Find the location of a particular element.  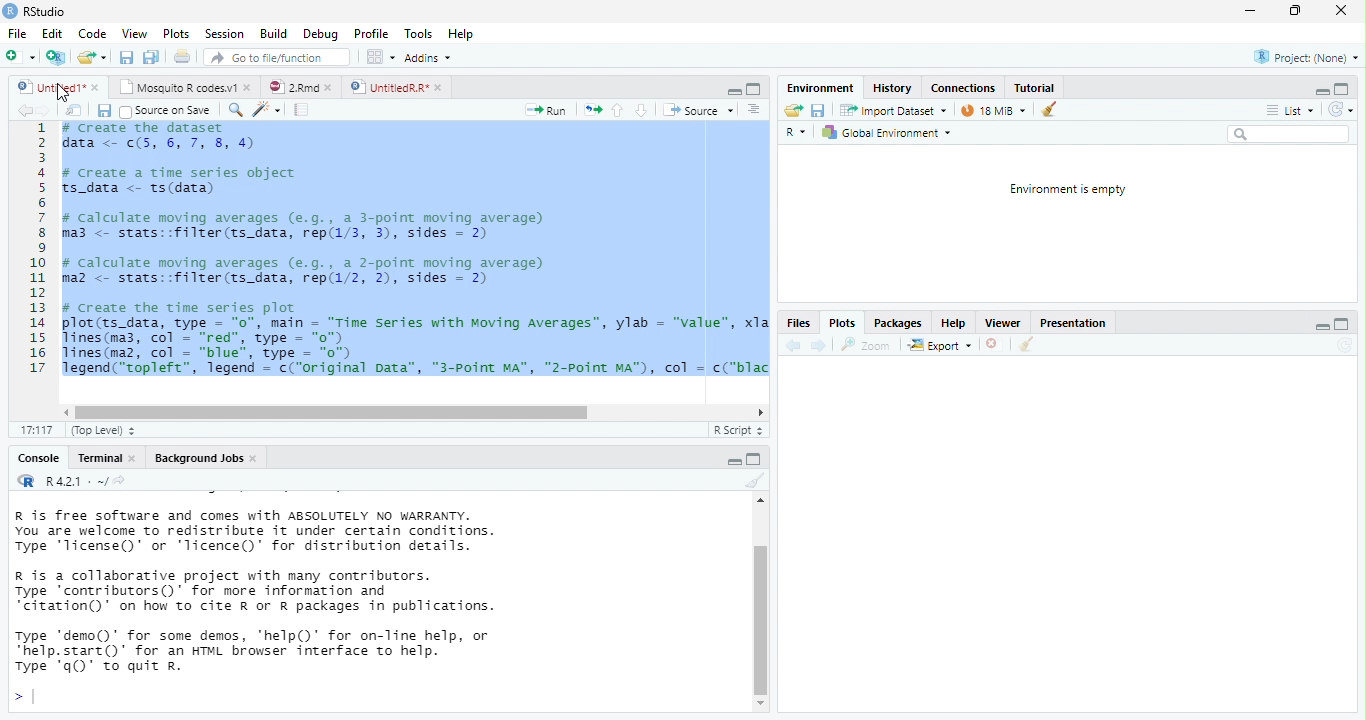

scrollbar up is located at coordinates (758, 503).